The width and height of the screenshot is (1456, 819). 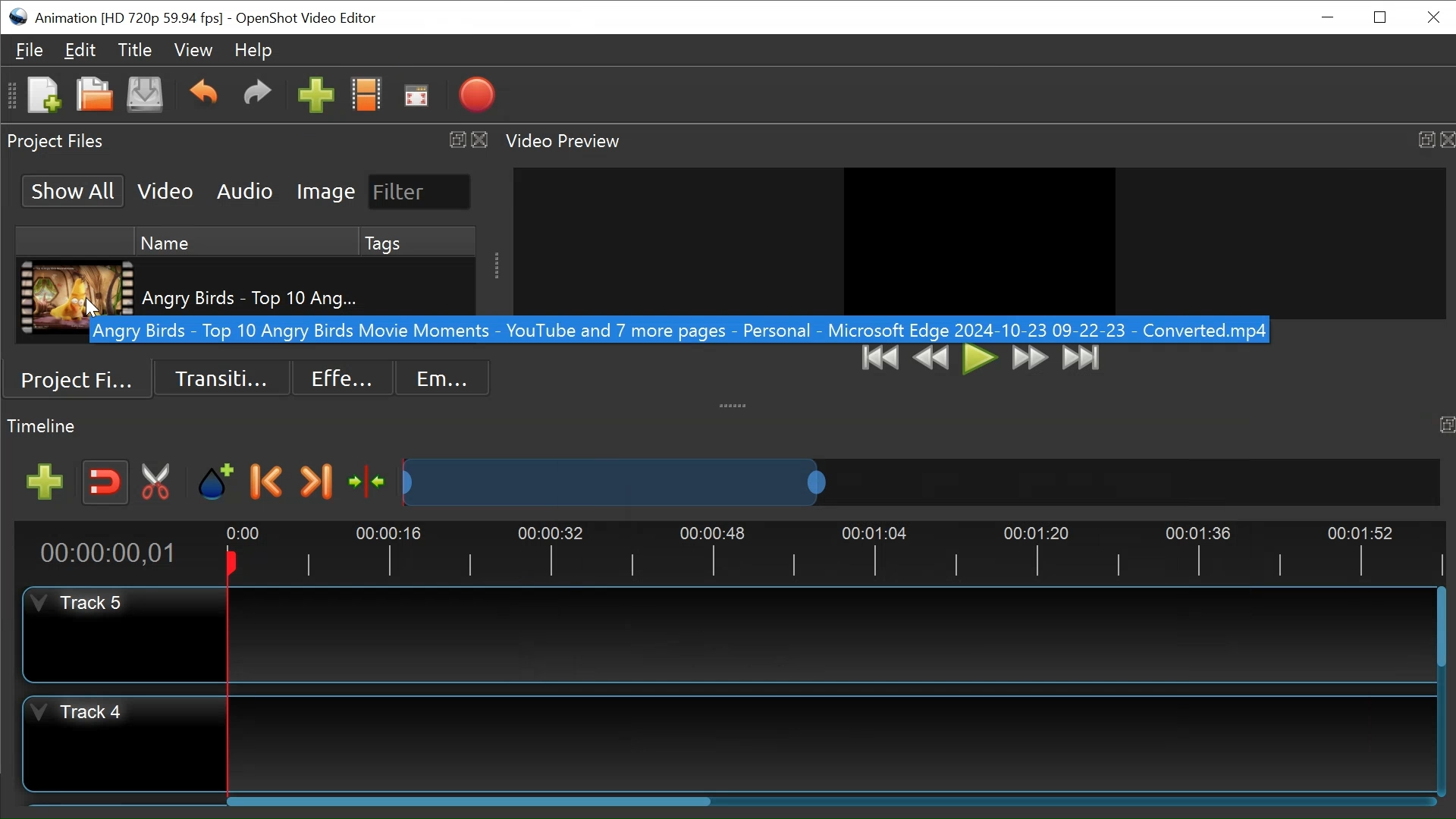 I want to click on Fast Forward, so click(x=1031, y=359).